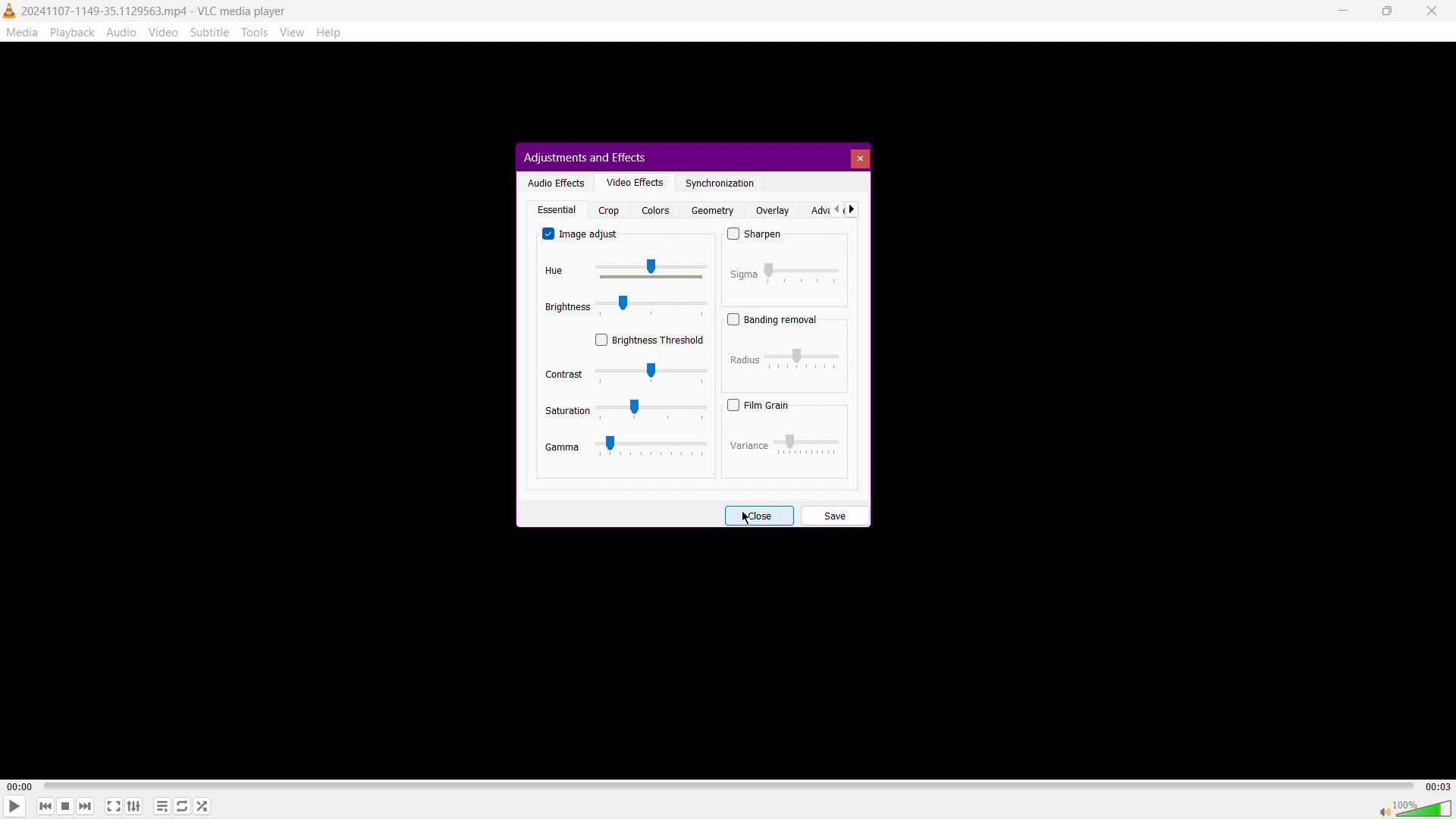 This screenshot has width=1456, height=819. Describe the element at coordinates (44, 807) in the screenshot. I see `Skip Back` at that location.